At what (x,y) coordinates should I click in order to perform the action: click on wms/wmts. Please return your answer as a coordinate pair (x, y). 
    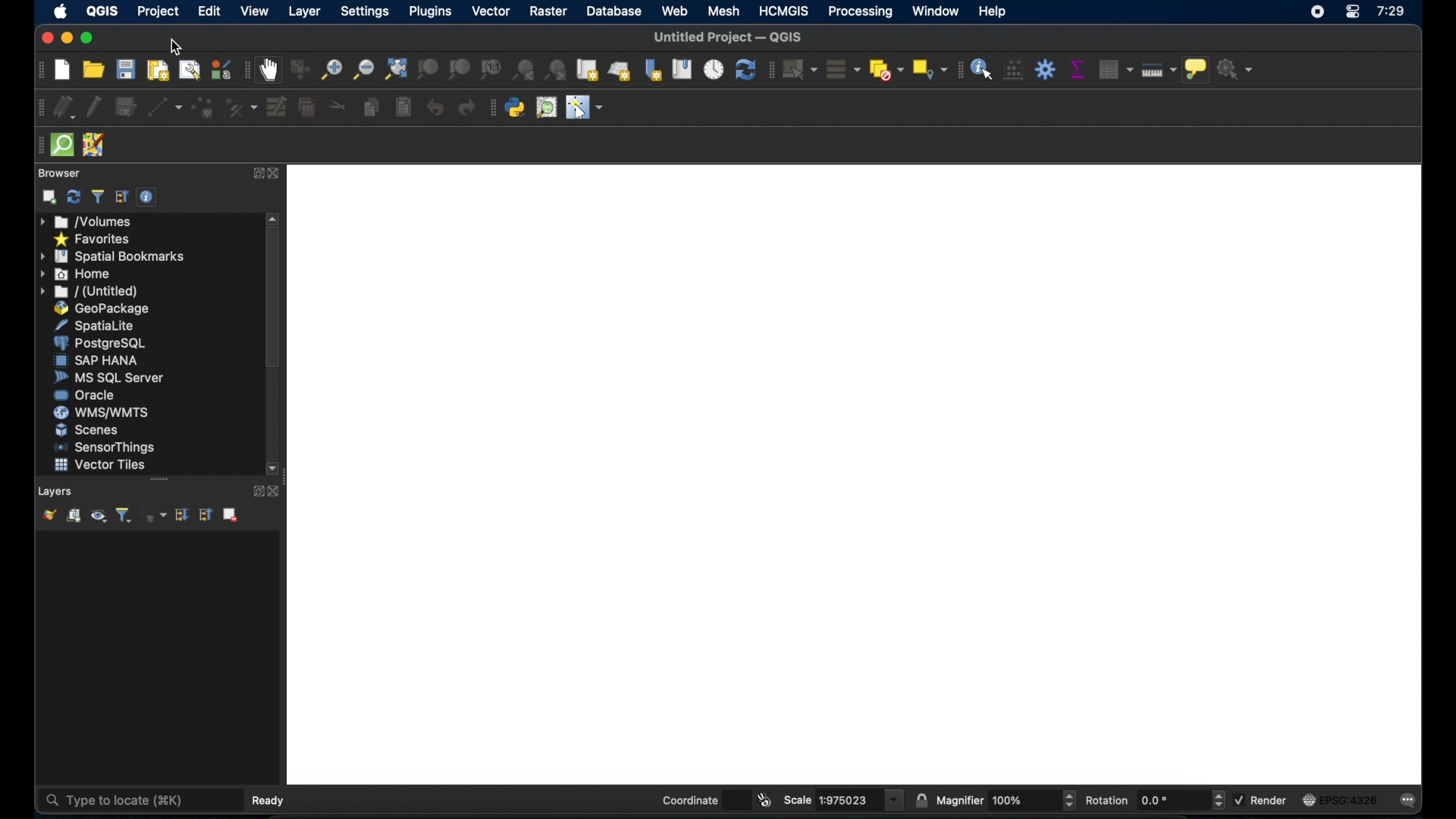
    Looking at the image, I should click on (101, 412).